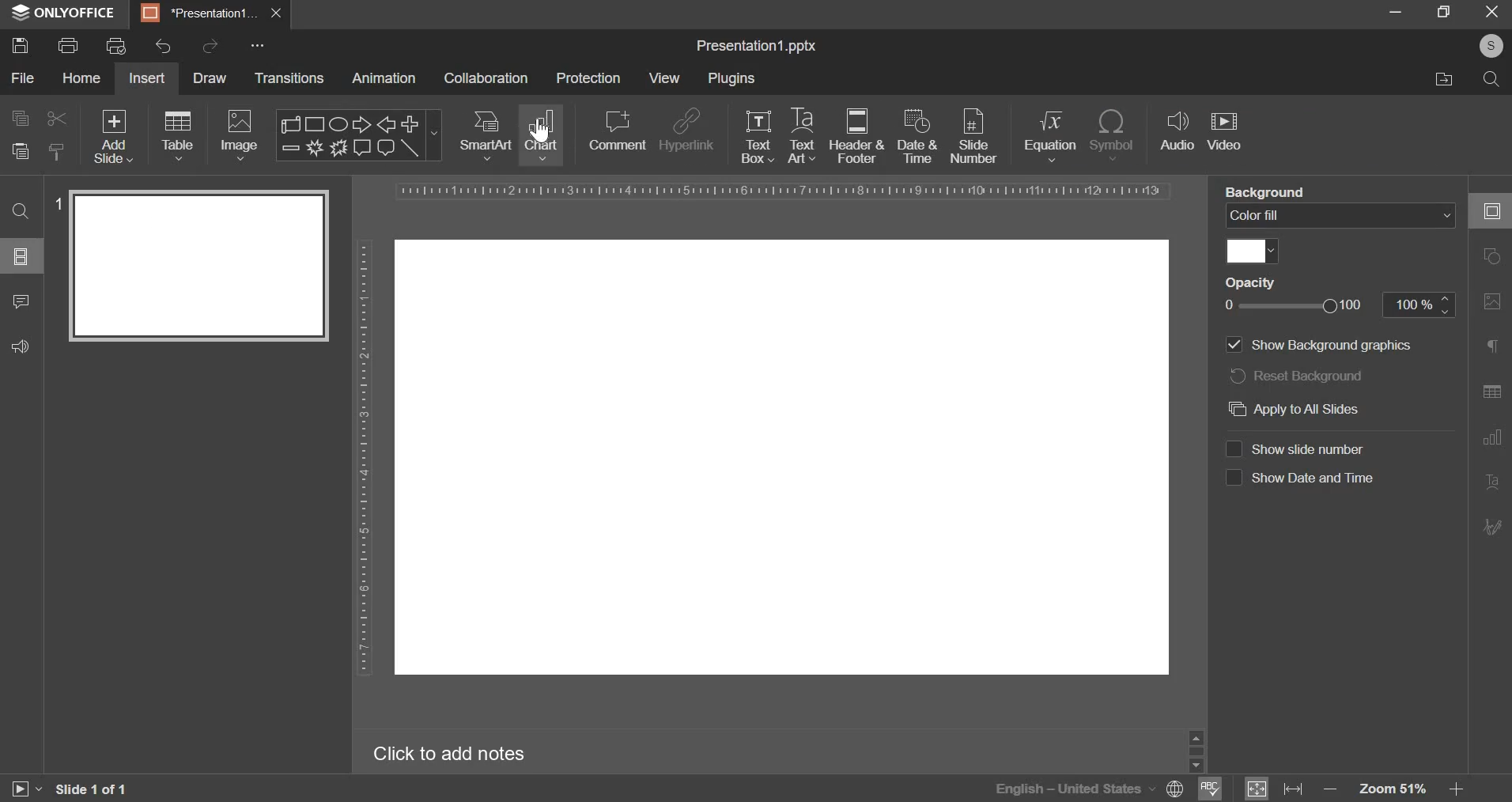  Describe the element at coordinates (1444, 78) in the screenshot. I see `file location` at that location.